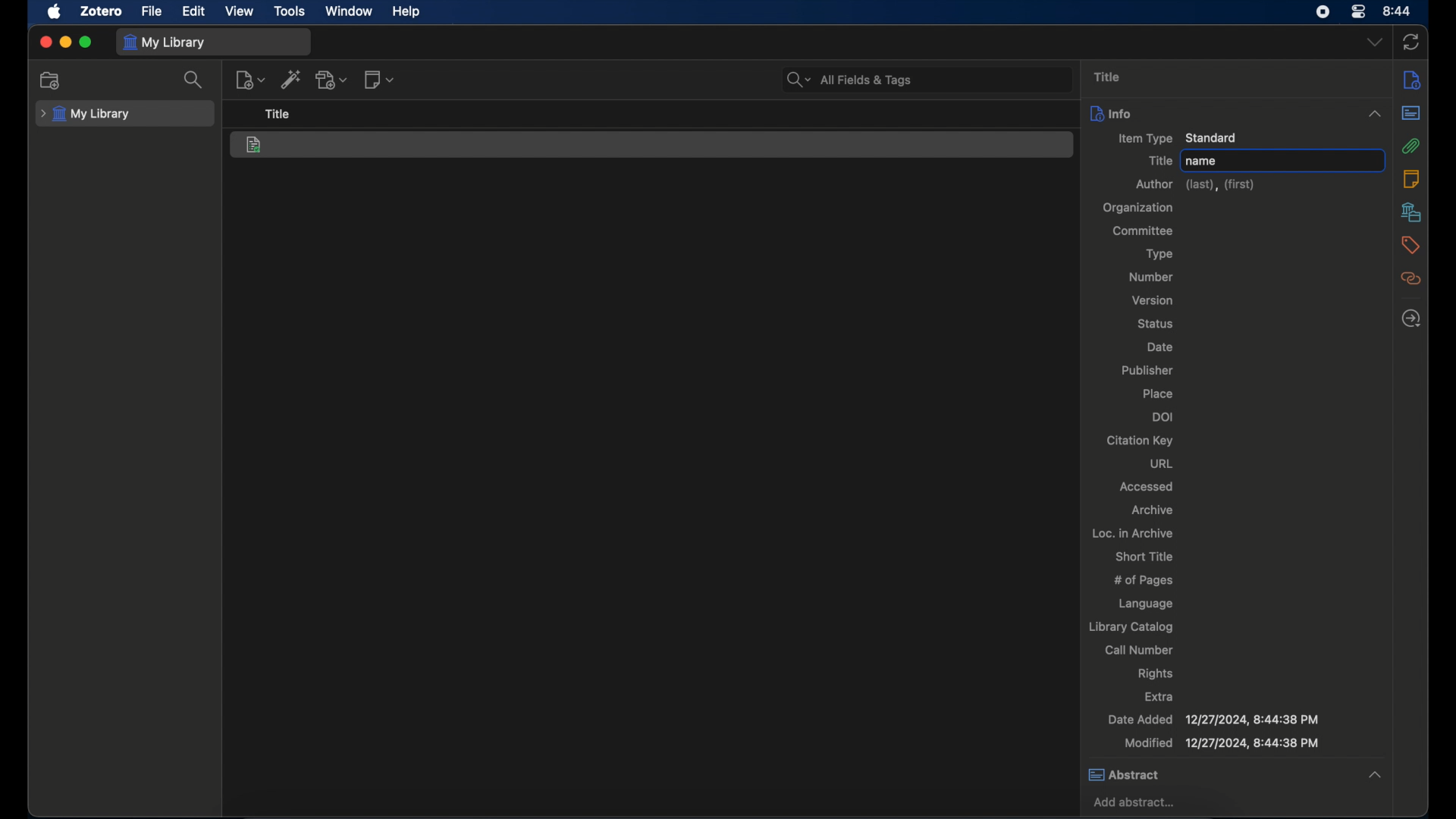  Describe the element at coordinates (52, 81) in the screenshot. I see `new collection` at that location.